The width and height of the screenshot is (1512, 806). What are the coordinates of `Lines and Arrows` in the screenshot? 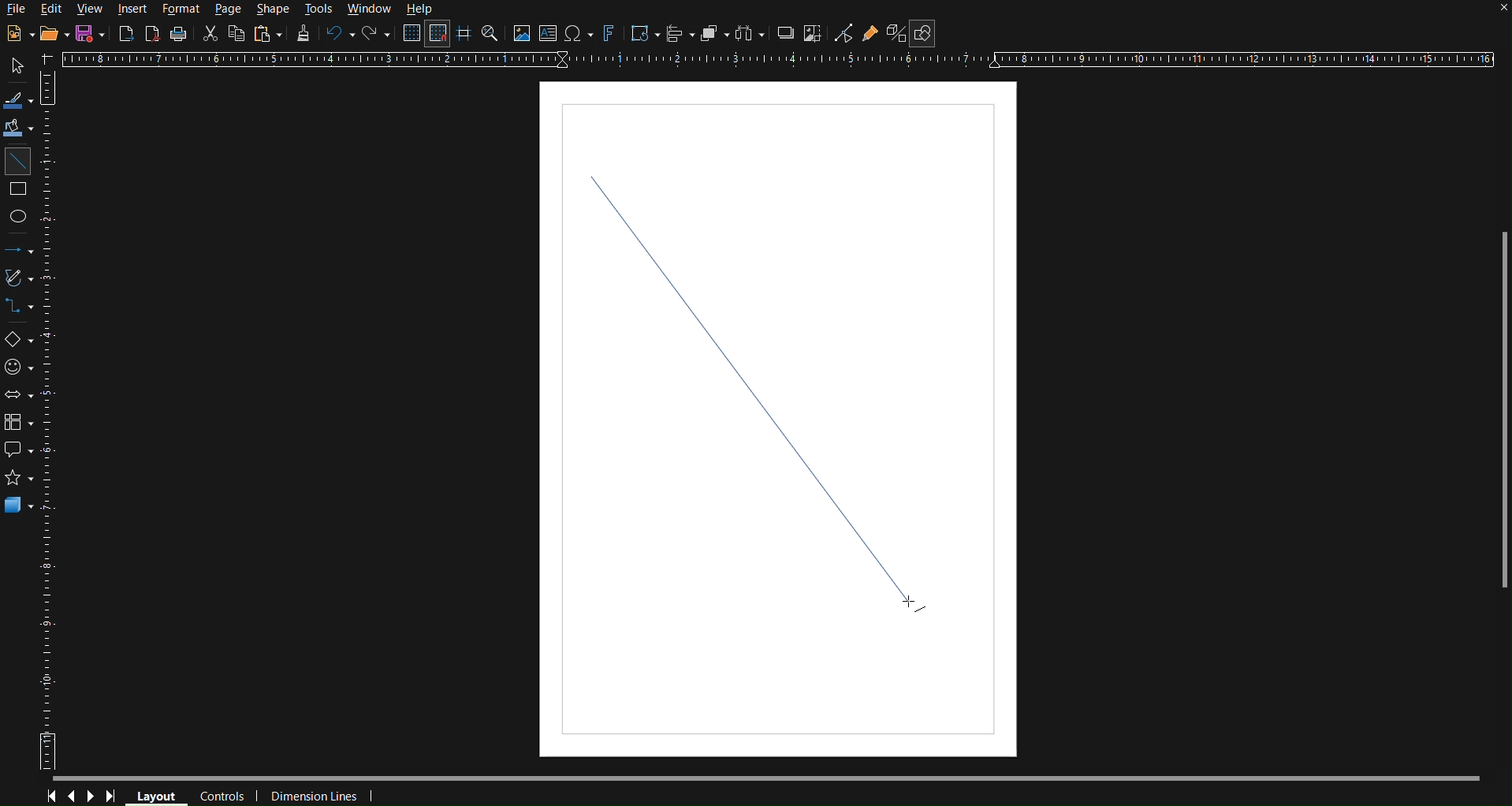 It's located at (19, 250).